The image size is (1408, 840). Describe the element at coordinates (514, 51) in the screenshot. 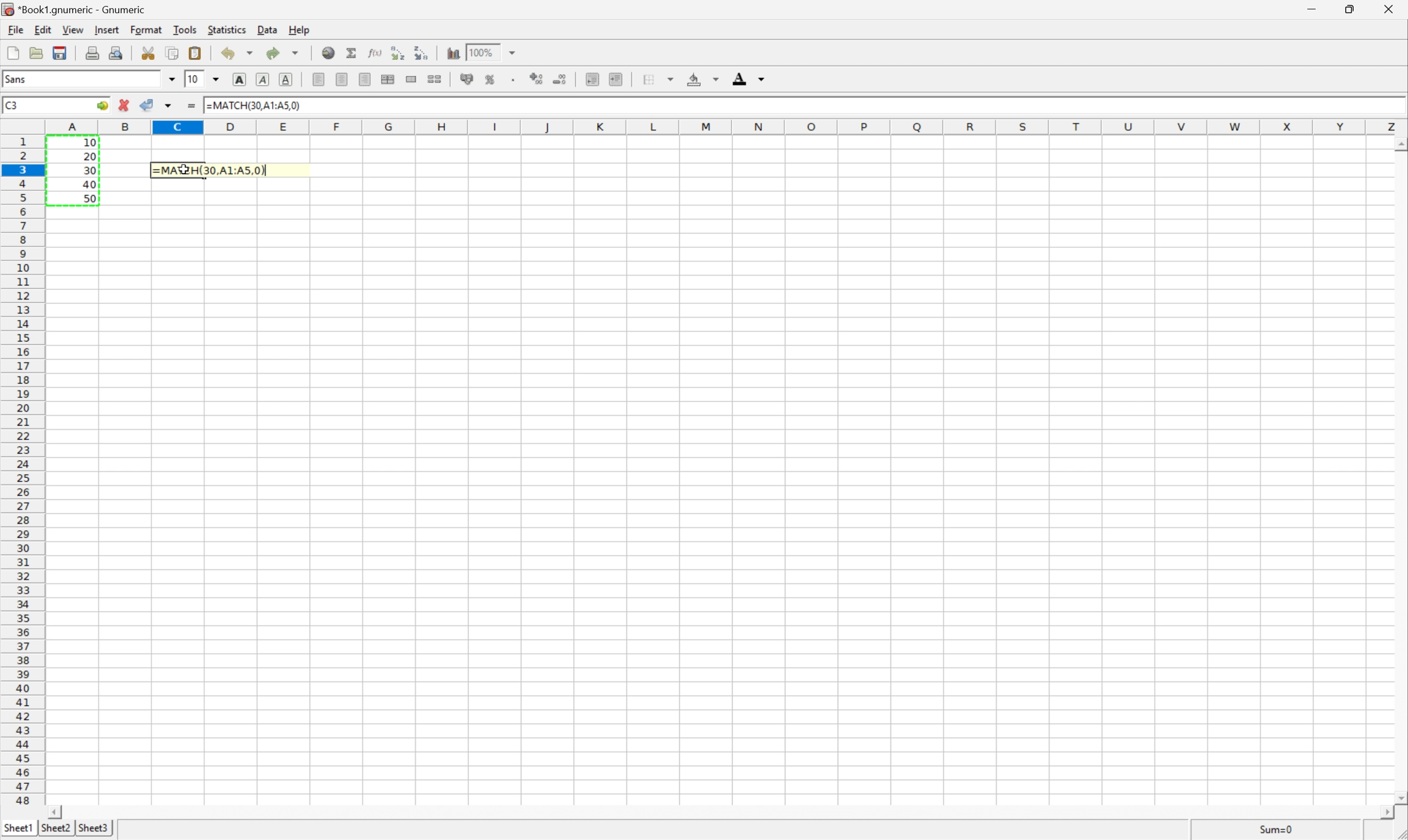

I see `Drop down` at that location.